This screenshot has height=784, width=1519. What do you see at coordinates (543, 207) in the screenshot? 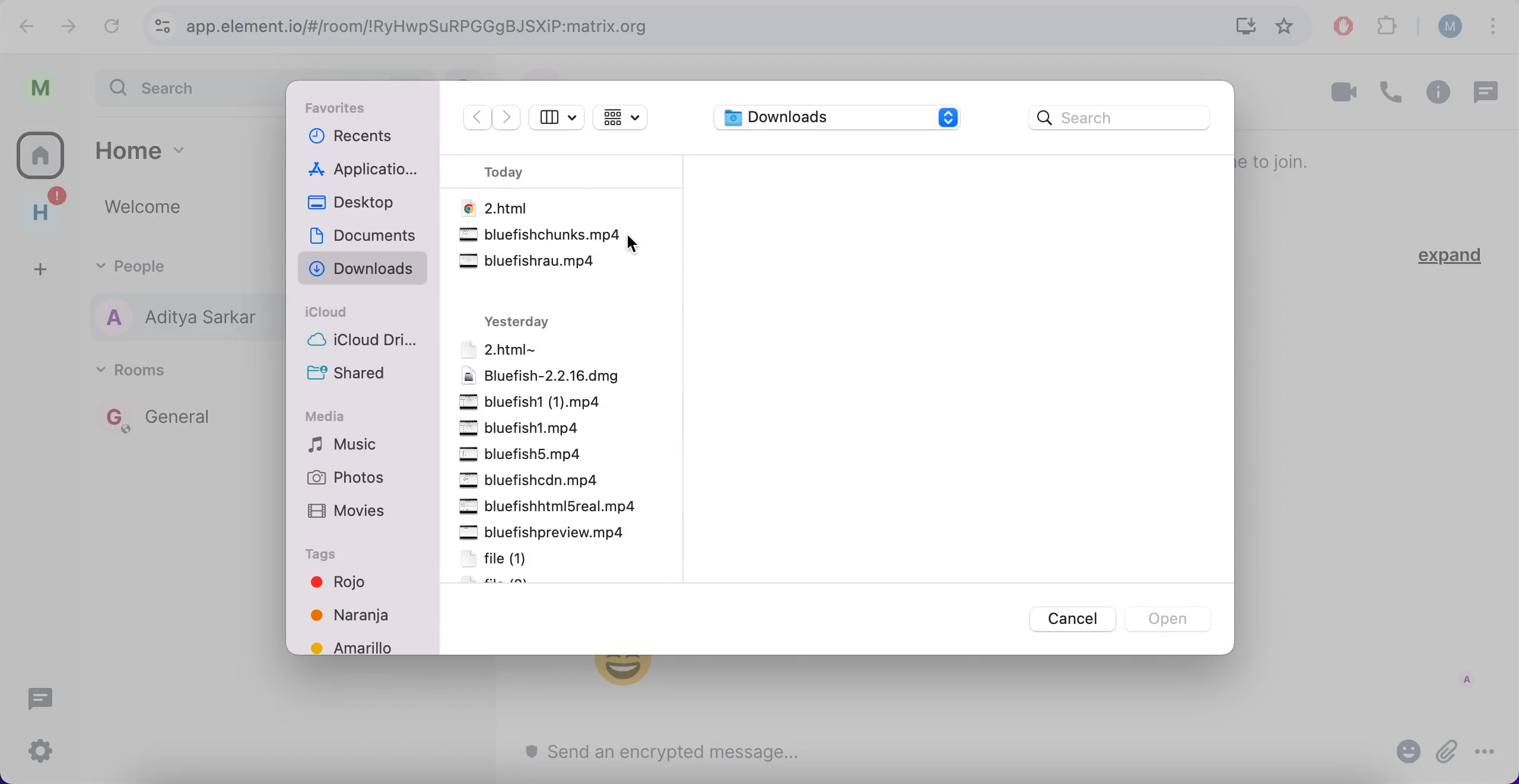
I see `file` at bounding box center [543, 207].